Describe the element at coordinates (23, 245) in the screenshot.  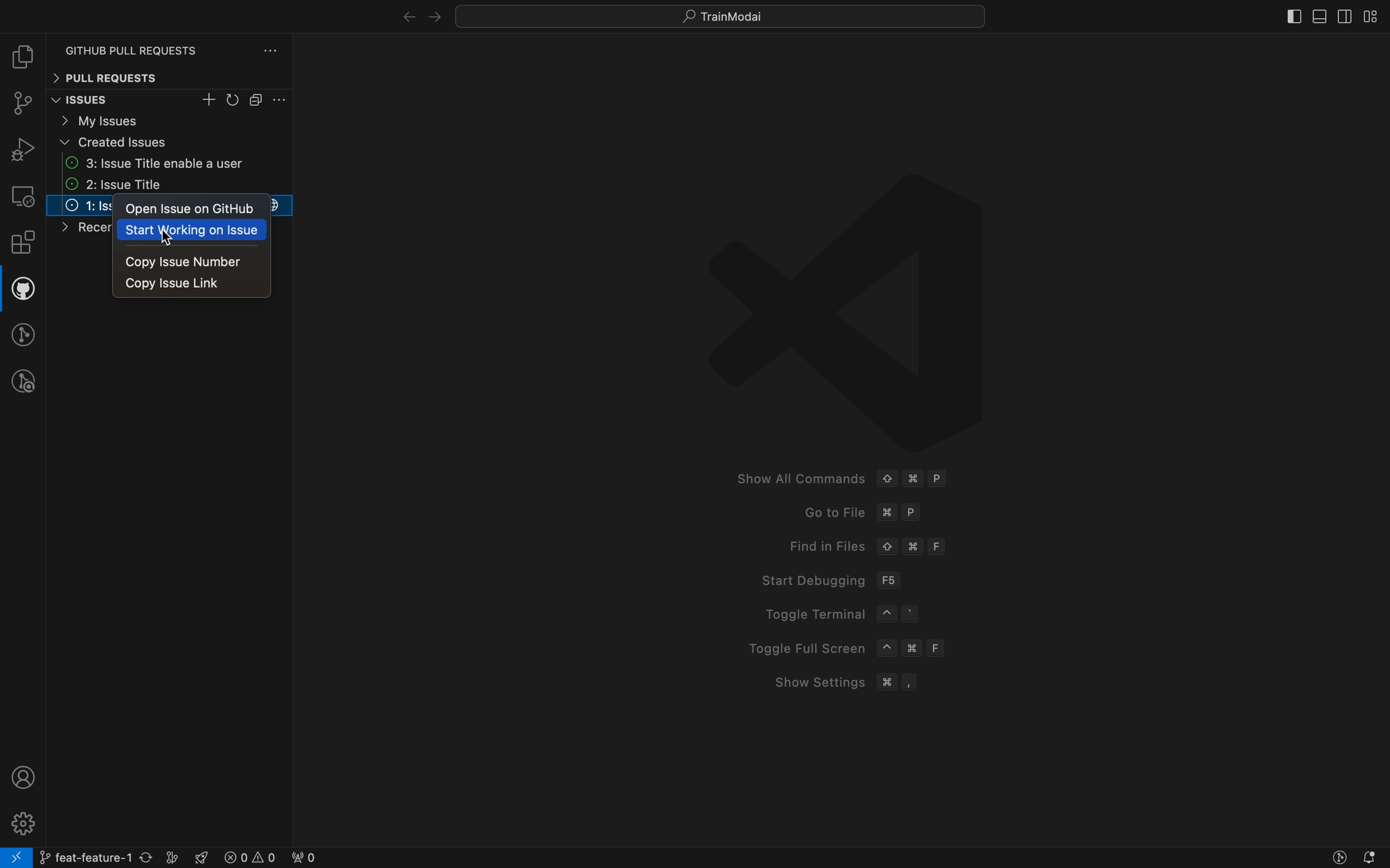
I see `Extensions` at that location.